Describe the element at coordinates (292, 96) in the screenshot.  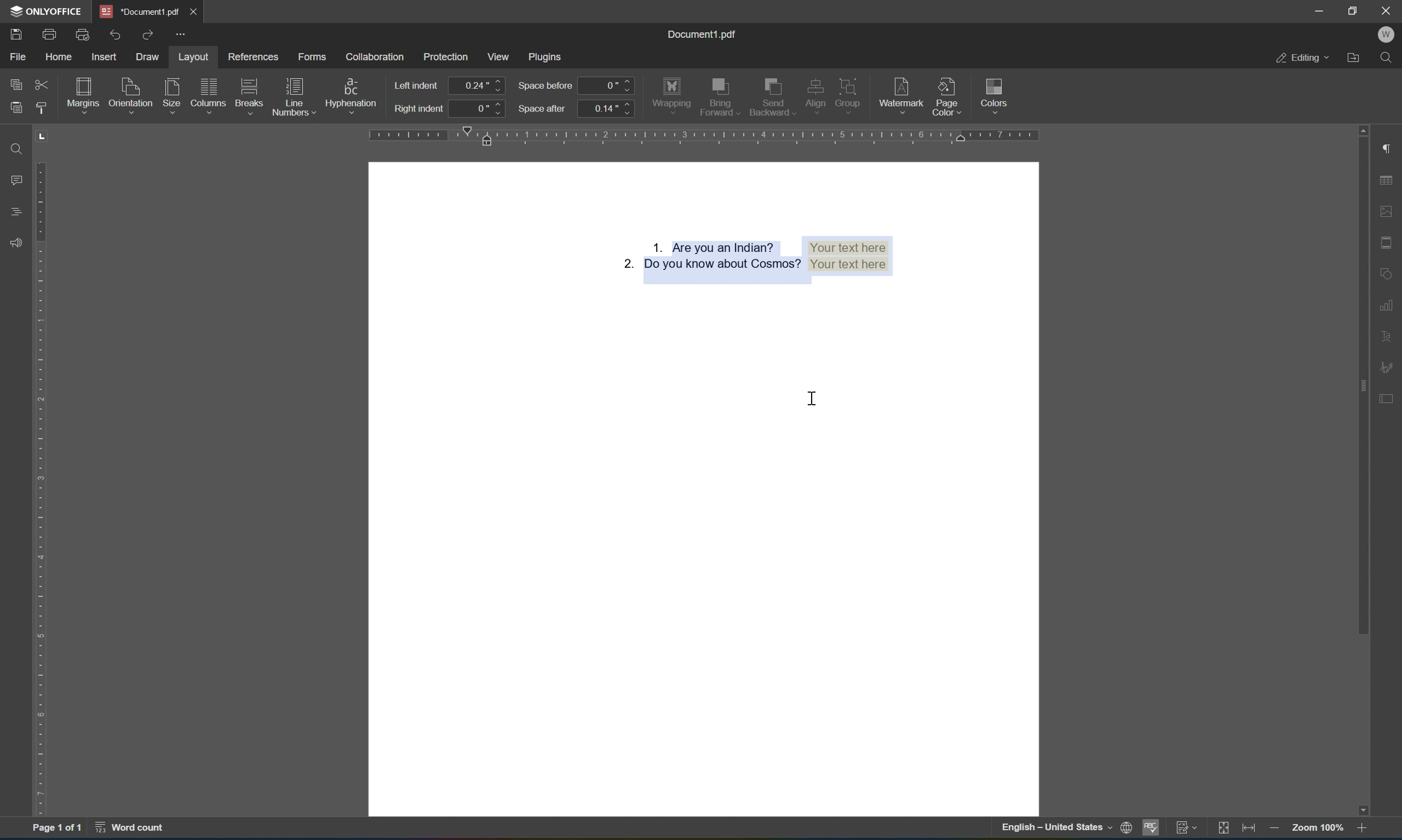
I see `line numbers` at that location.